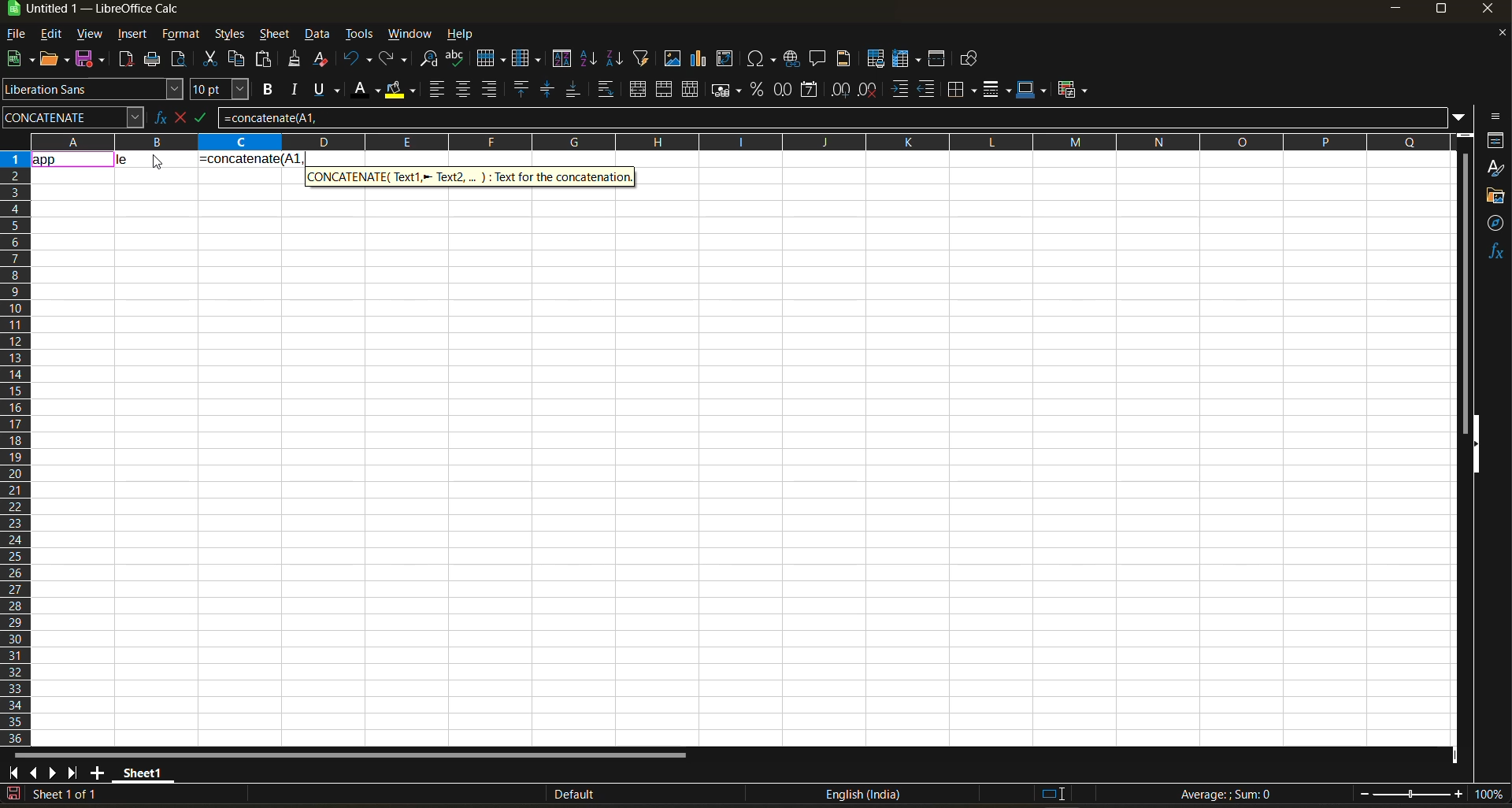 The height and width of the screenshot is (808, 1512). What do you see at coordinates (399, 91) in the screenshot?
I see `background color` at bounding box center [399, 91].